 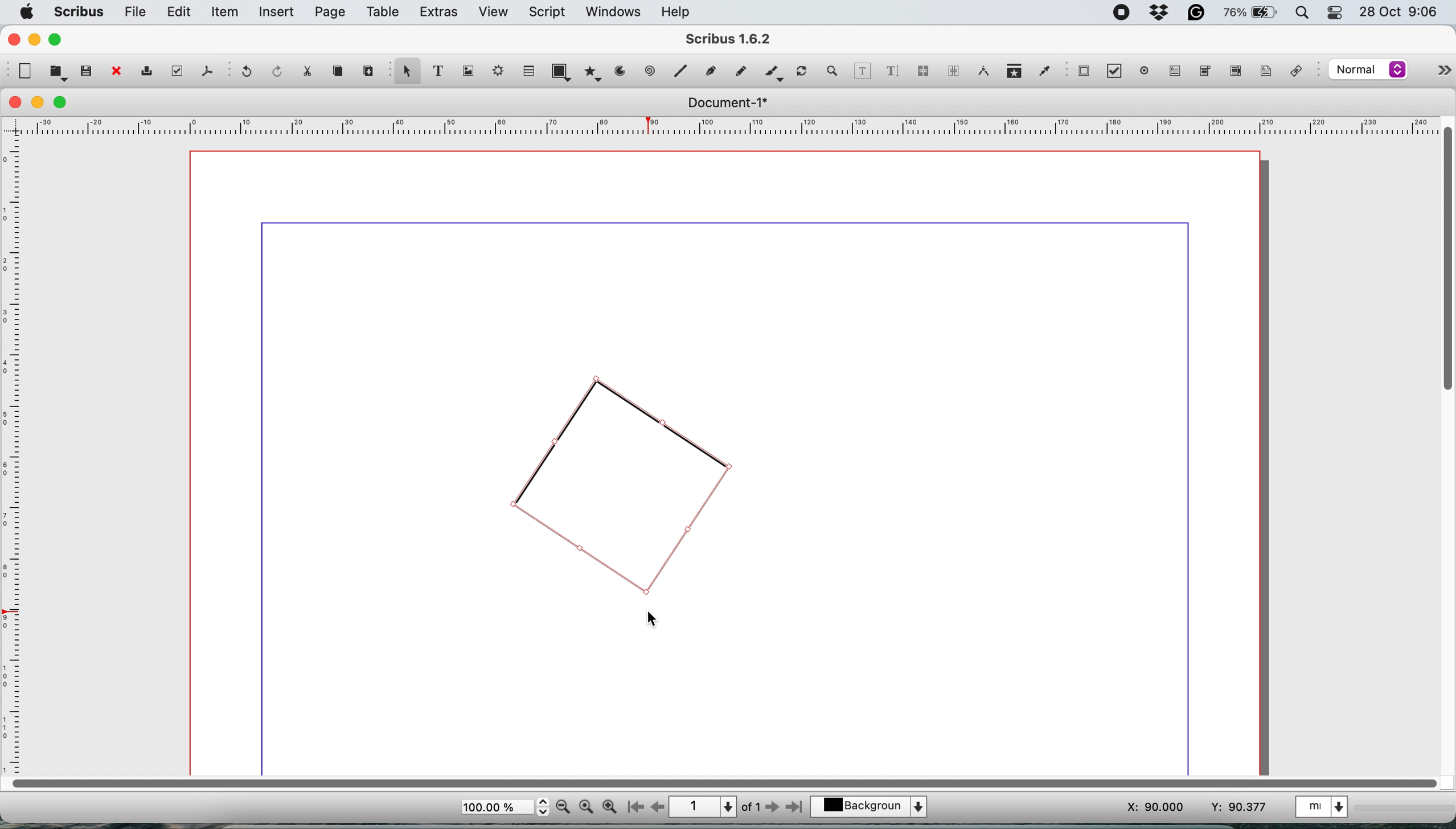 What do you see at coordinates (341, 73) in the screenshot?
I see `copy` at bounding box center [341, 73].